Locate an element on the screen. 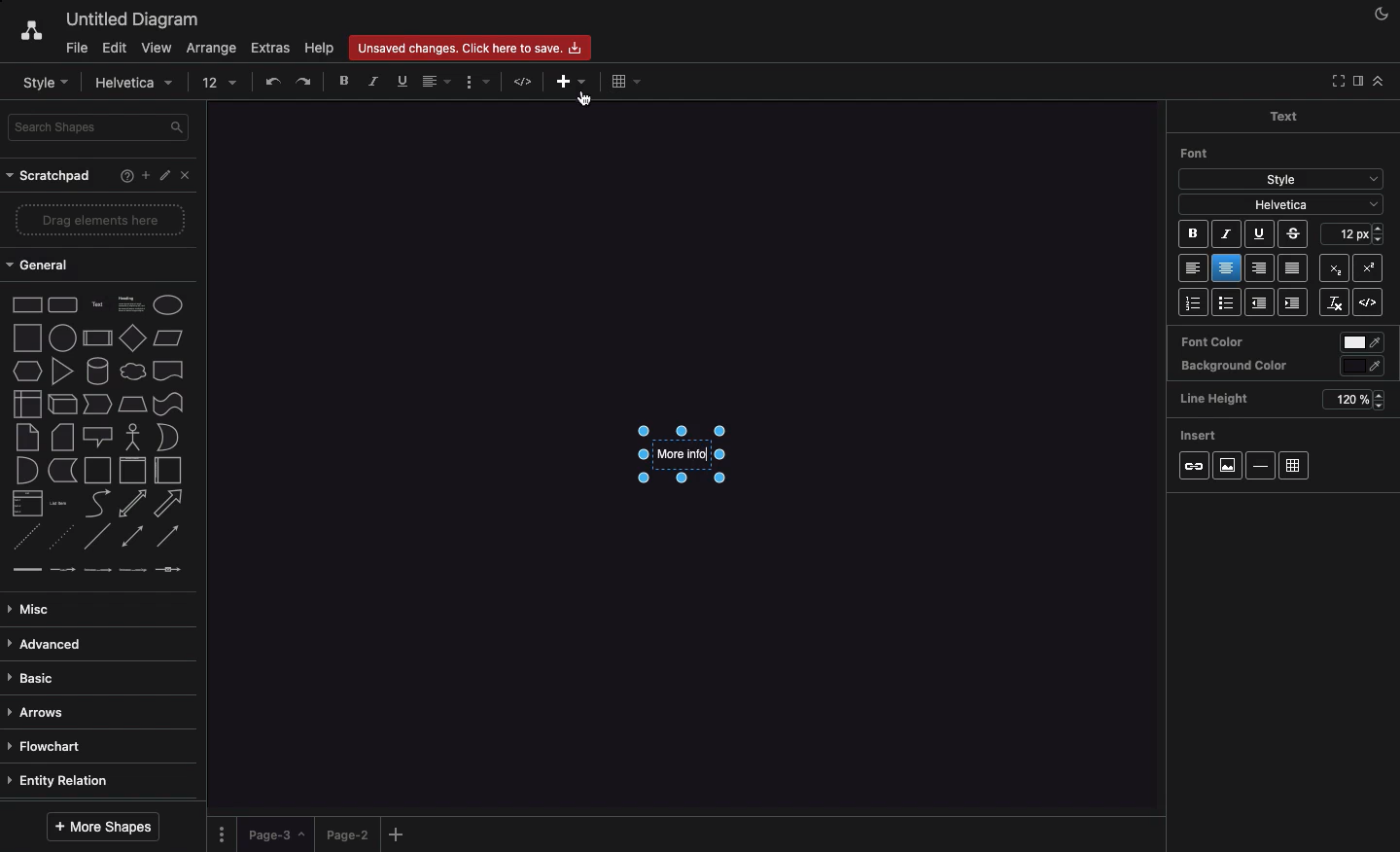  data storage is located at coordinates (63, 471).